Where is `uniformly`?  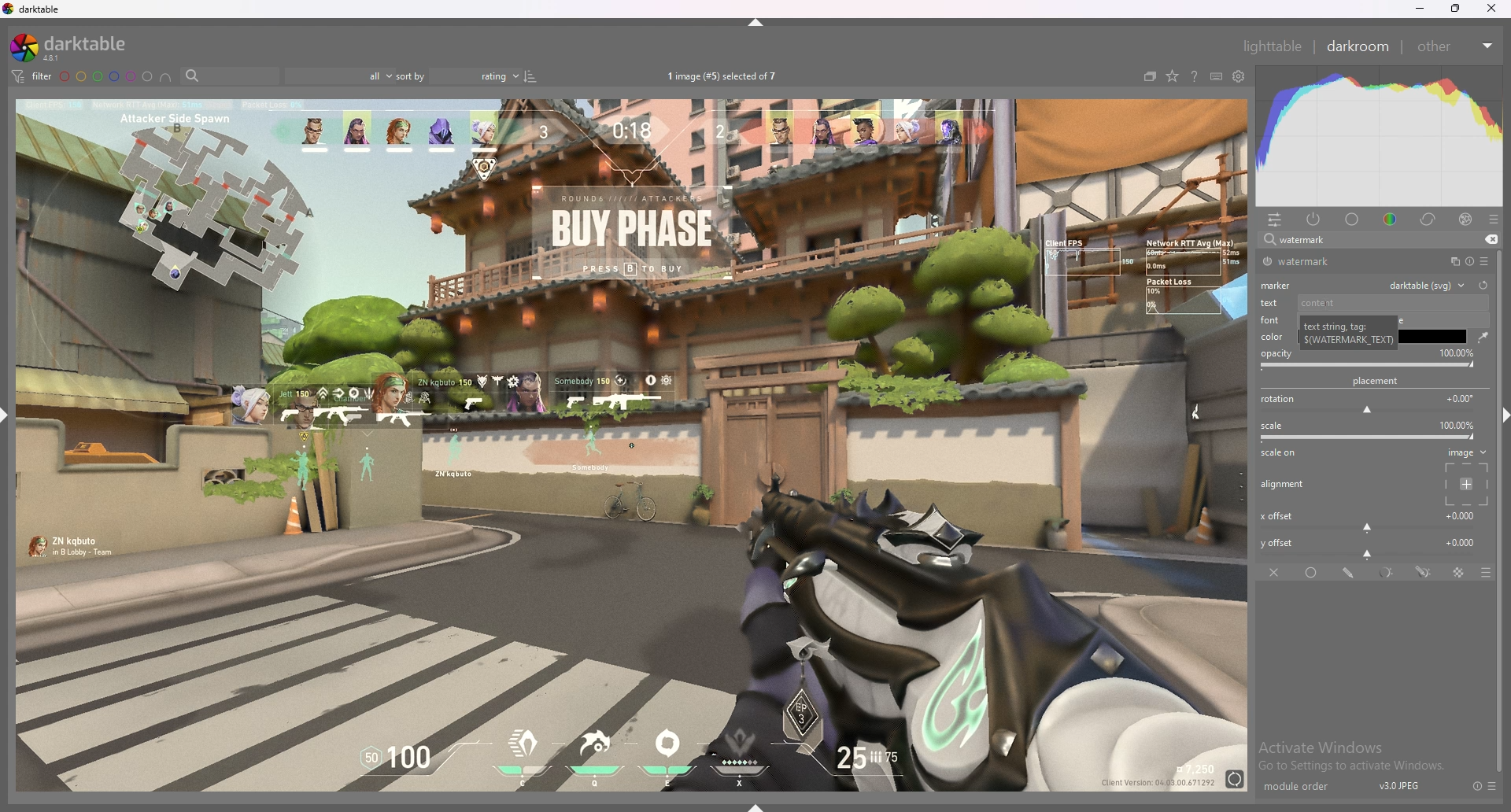
uniformly is located at coordinates (1313, 573).